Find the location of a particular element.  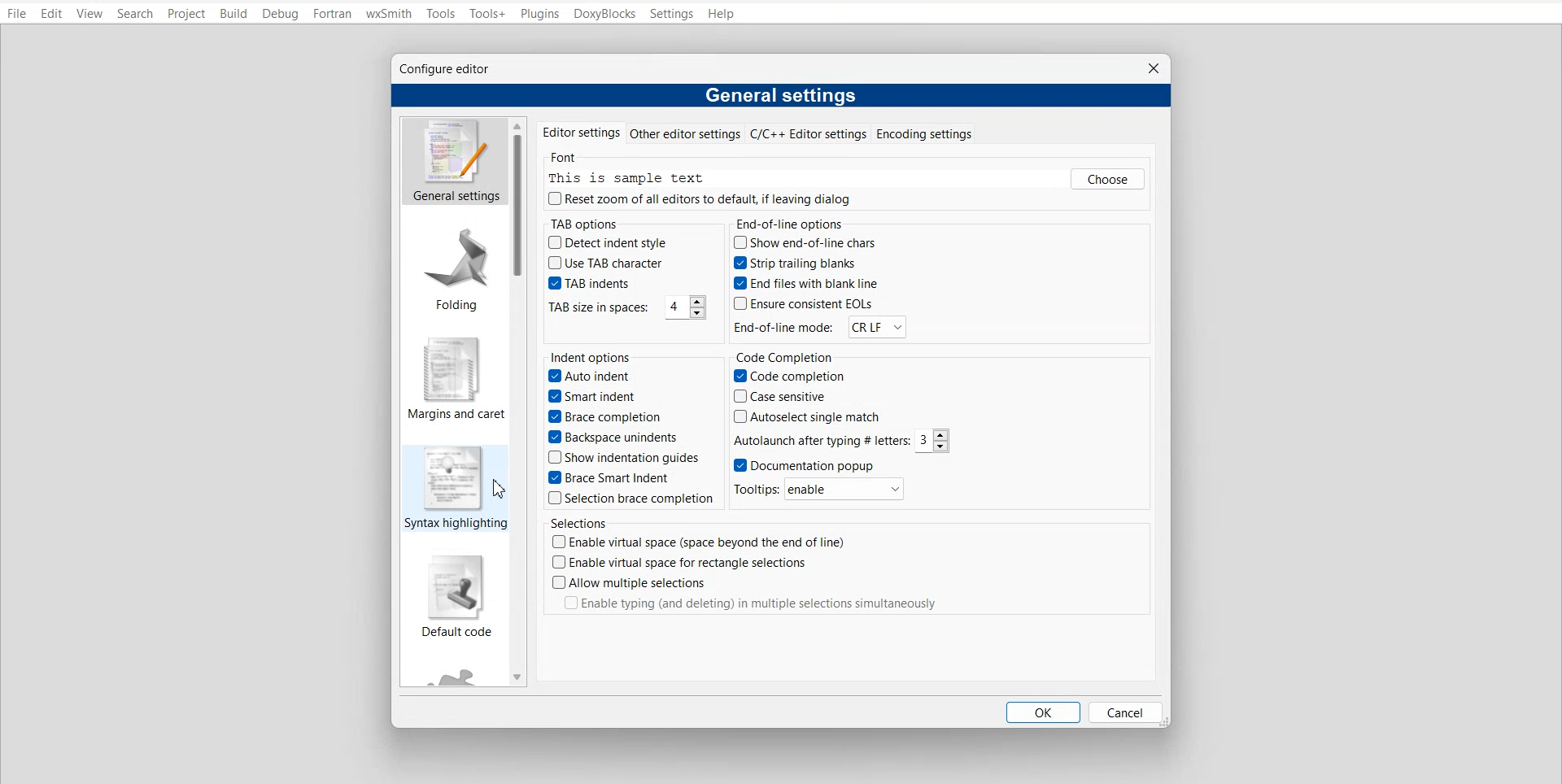

Autolaunch after typing letter is located at coordinates (841, 440).